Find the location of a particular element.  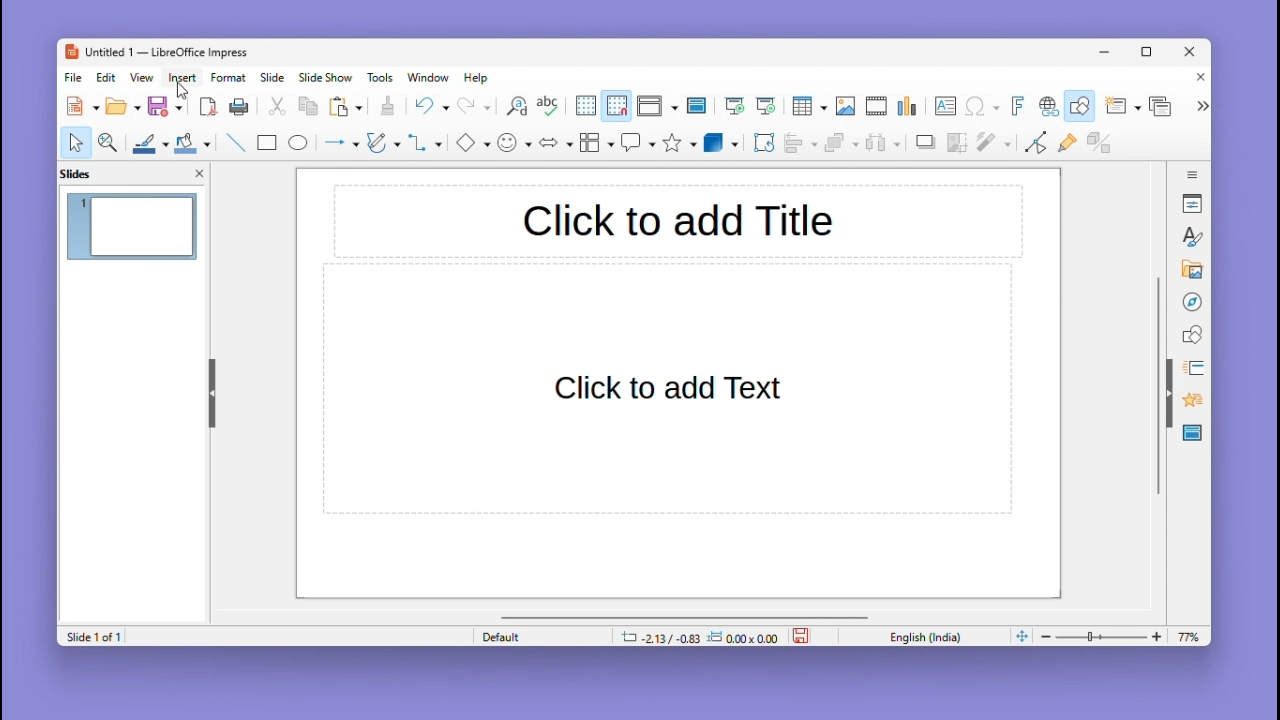

Line is located at coordinates (234, 142).